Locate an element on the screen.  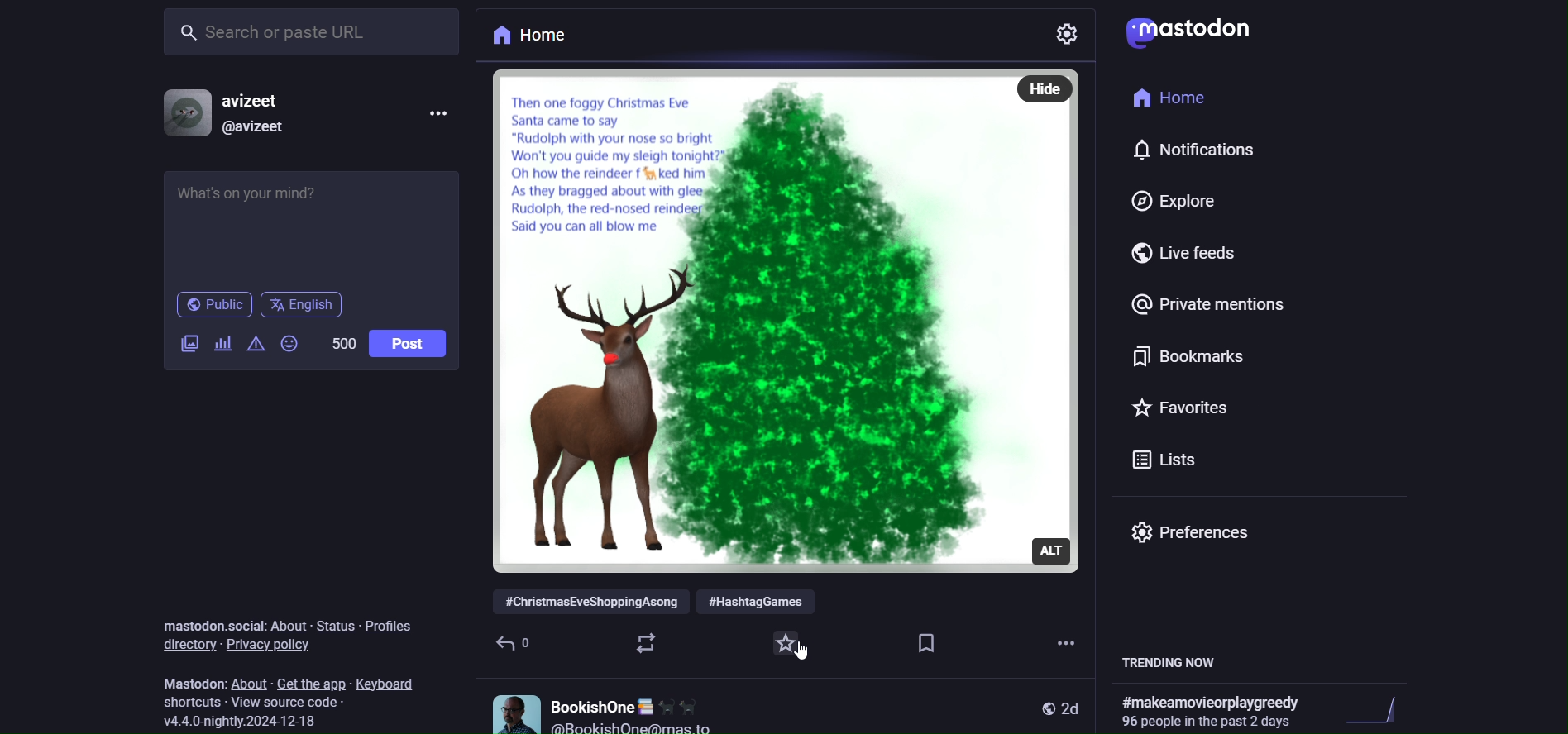
setting is located at coordinates (1073, 39).